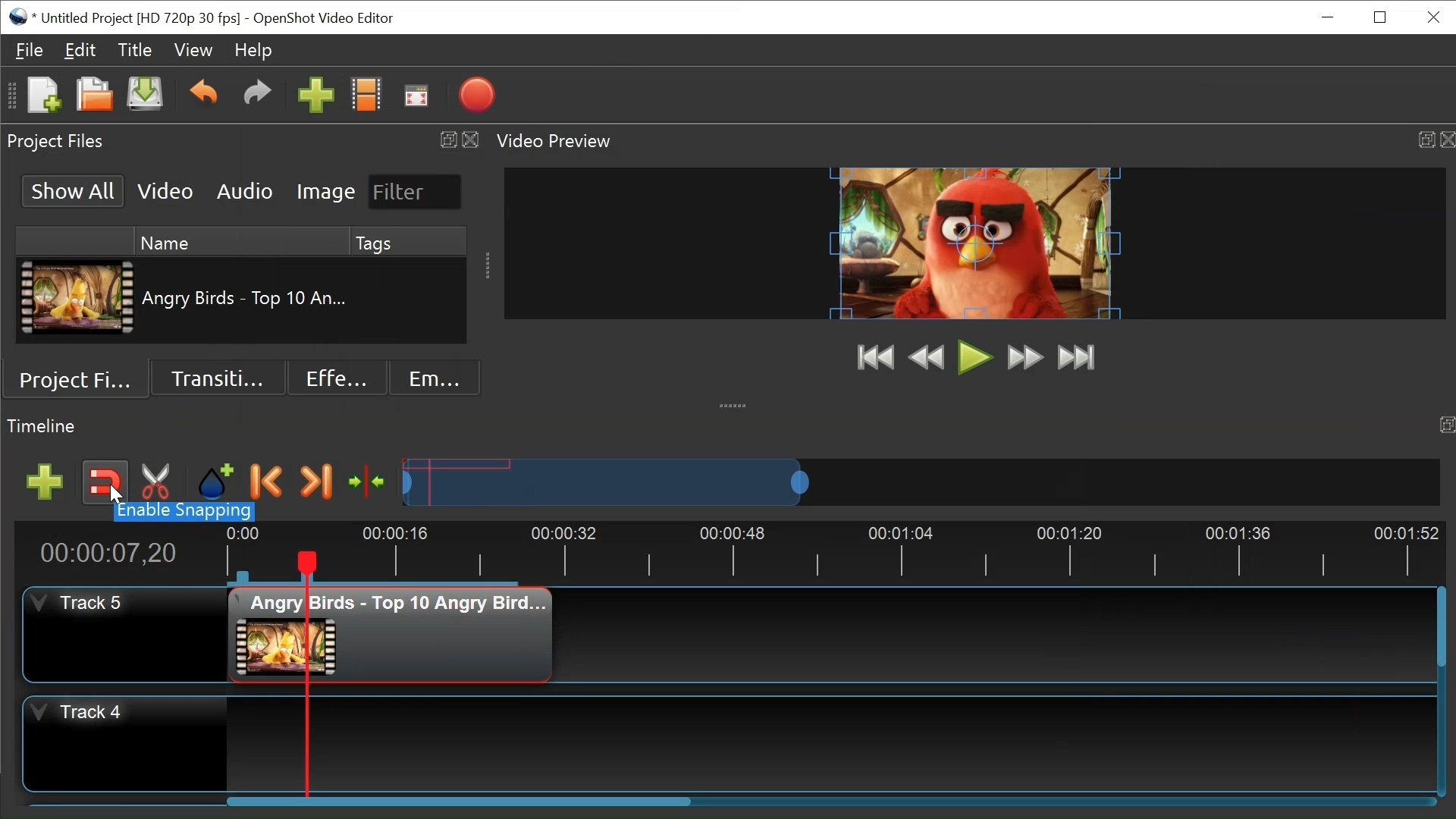 The width and height of the screenshot is (1456, 819). I want to click on Track Header, so click(79, 714).